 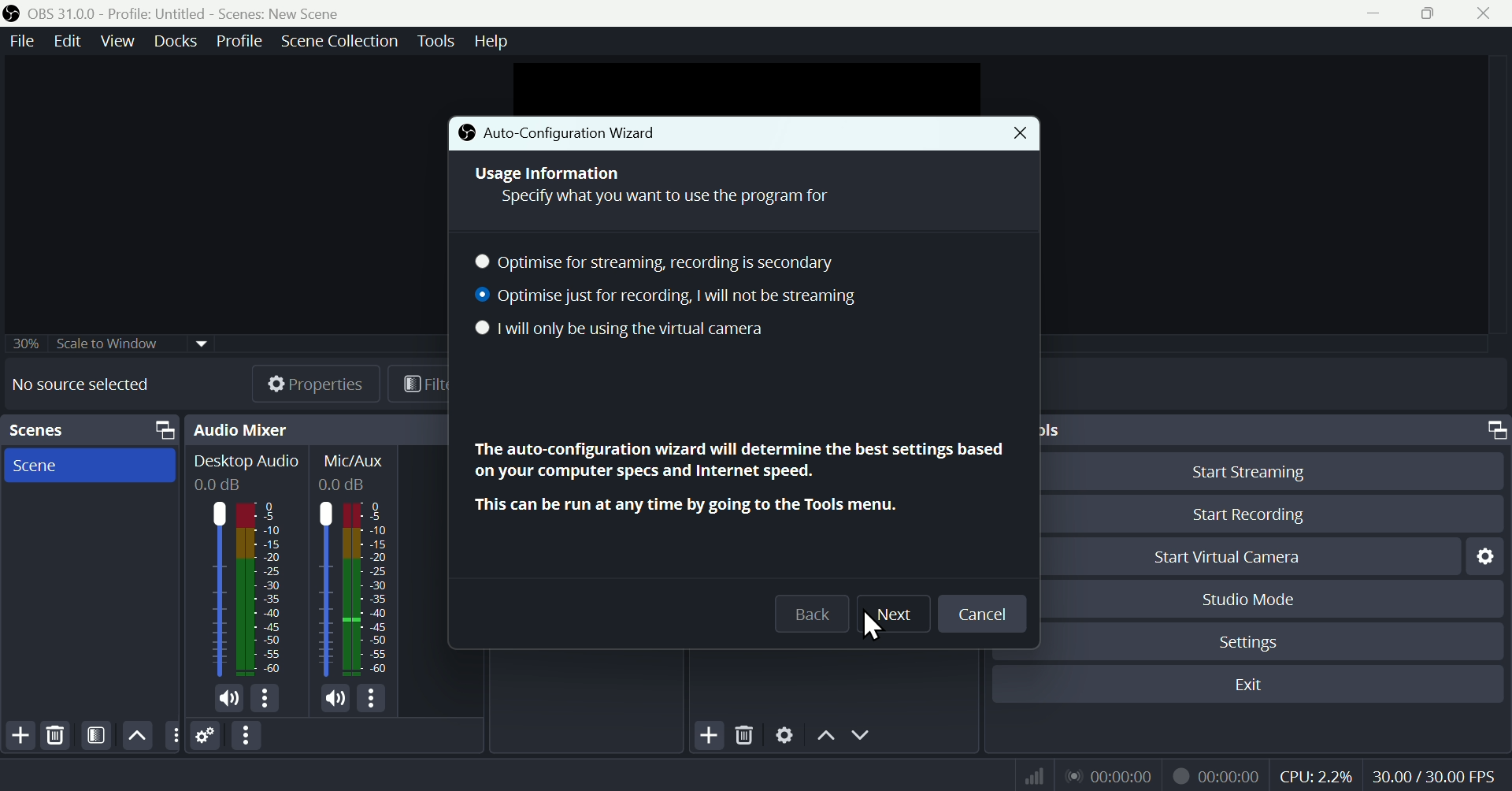 What do you see at coordinates (132, 342) in the screenshot?
I see `30% scale widow ` at bounding box center [132, 342].